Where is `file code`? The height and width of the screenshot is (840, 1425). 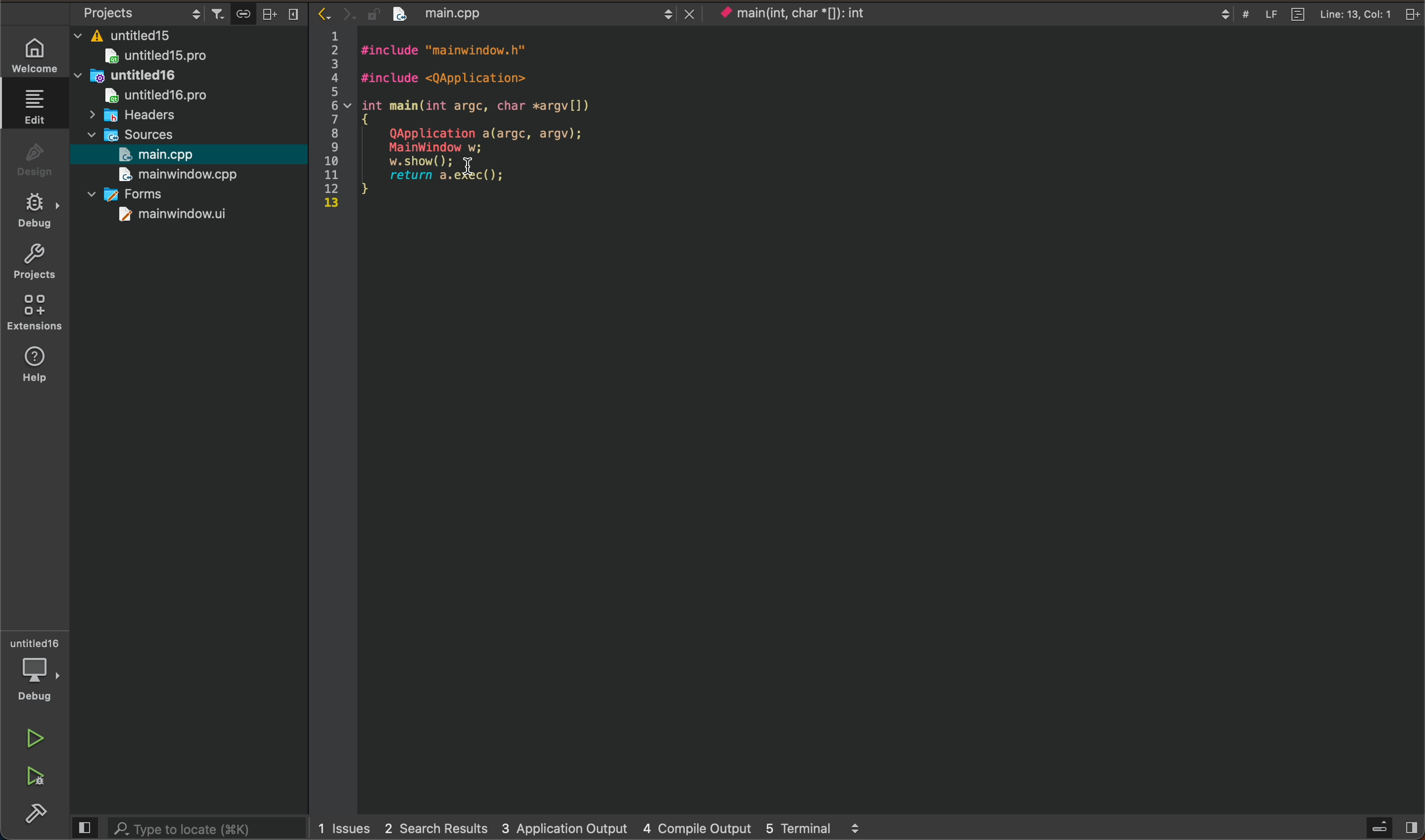 file code is located at coordinates (489, 120).